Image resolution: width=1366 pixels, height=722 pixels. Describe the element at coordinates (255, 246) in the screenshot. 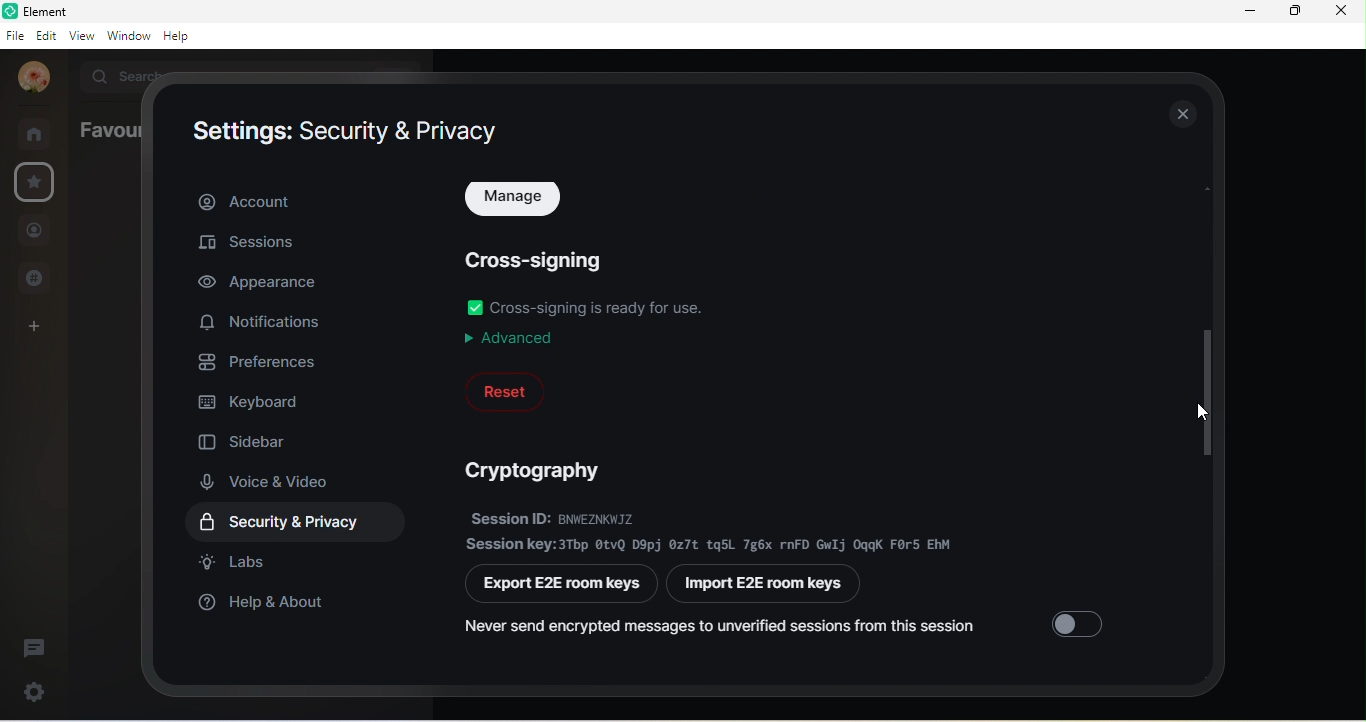

I see `sessions` at that location.